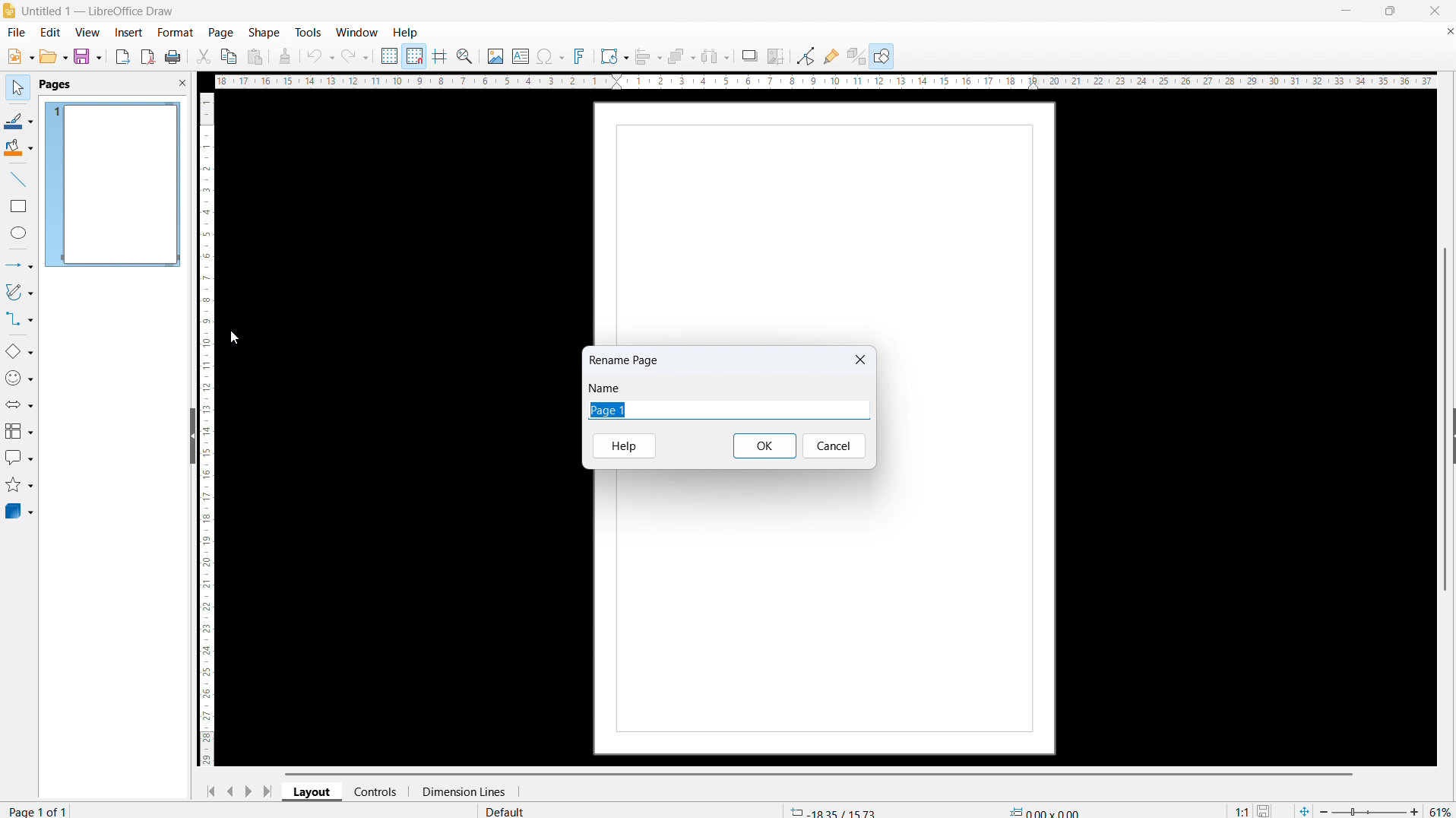  Describe the element at coordinates (465, 55) in the screenshot. I see `zoom` at that location.